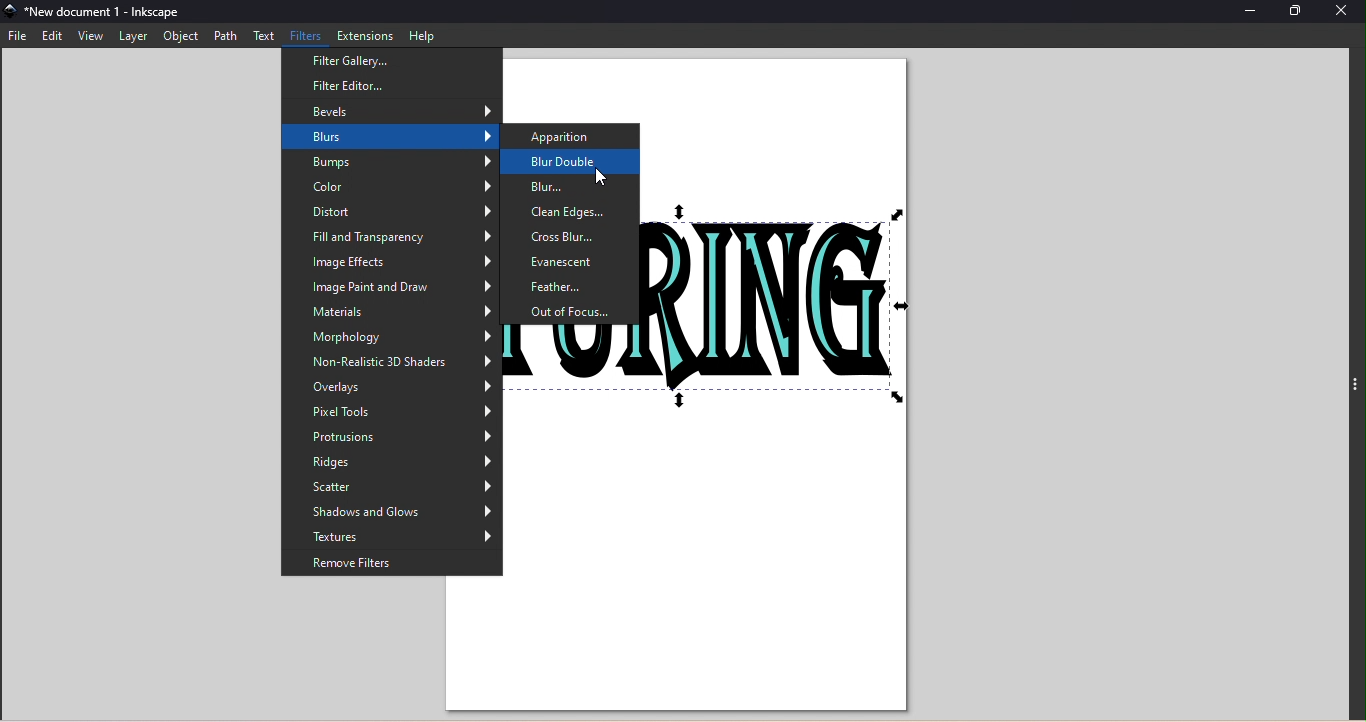 This screenshot has height=722, width=1366. I want to click on Close, so click(1343, 14).